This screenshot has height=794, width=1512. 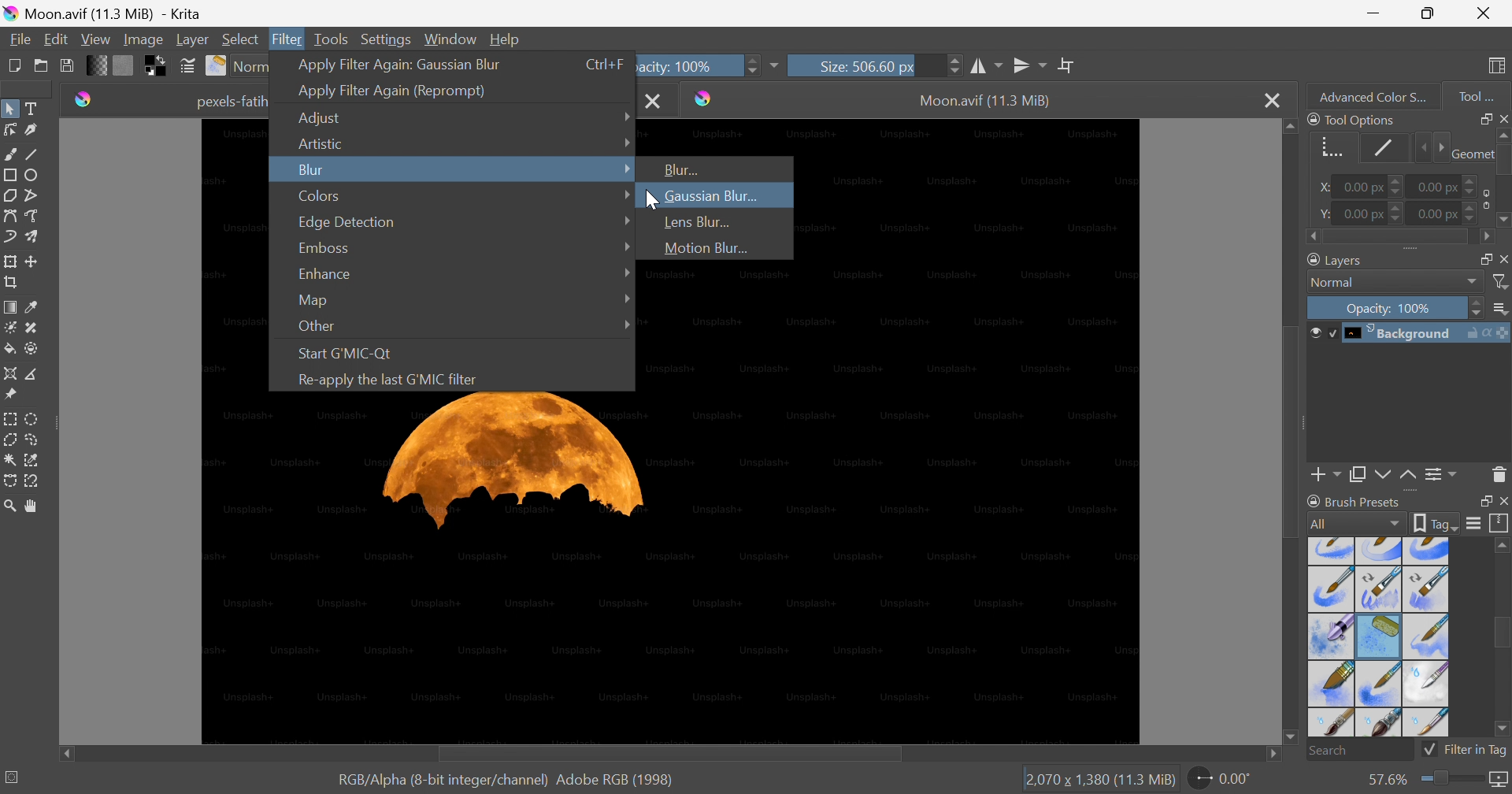 What do you see at coordinates (1394, 282) in the screenshot?
I see `Normal` at bounding box center [1394, 282].